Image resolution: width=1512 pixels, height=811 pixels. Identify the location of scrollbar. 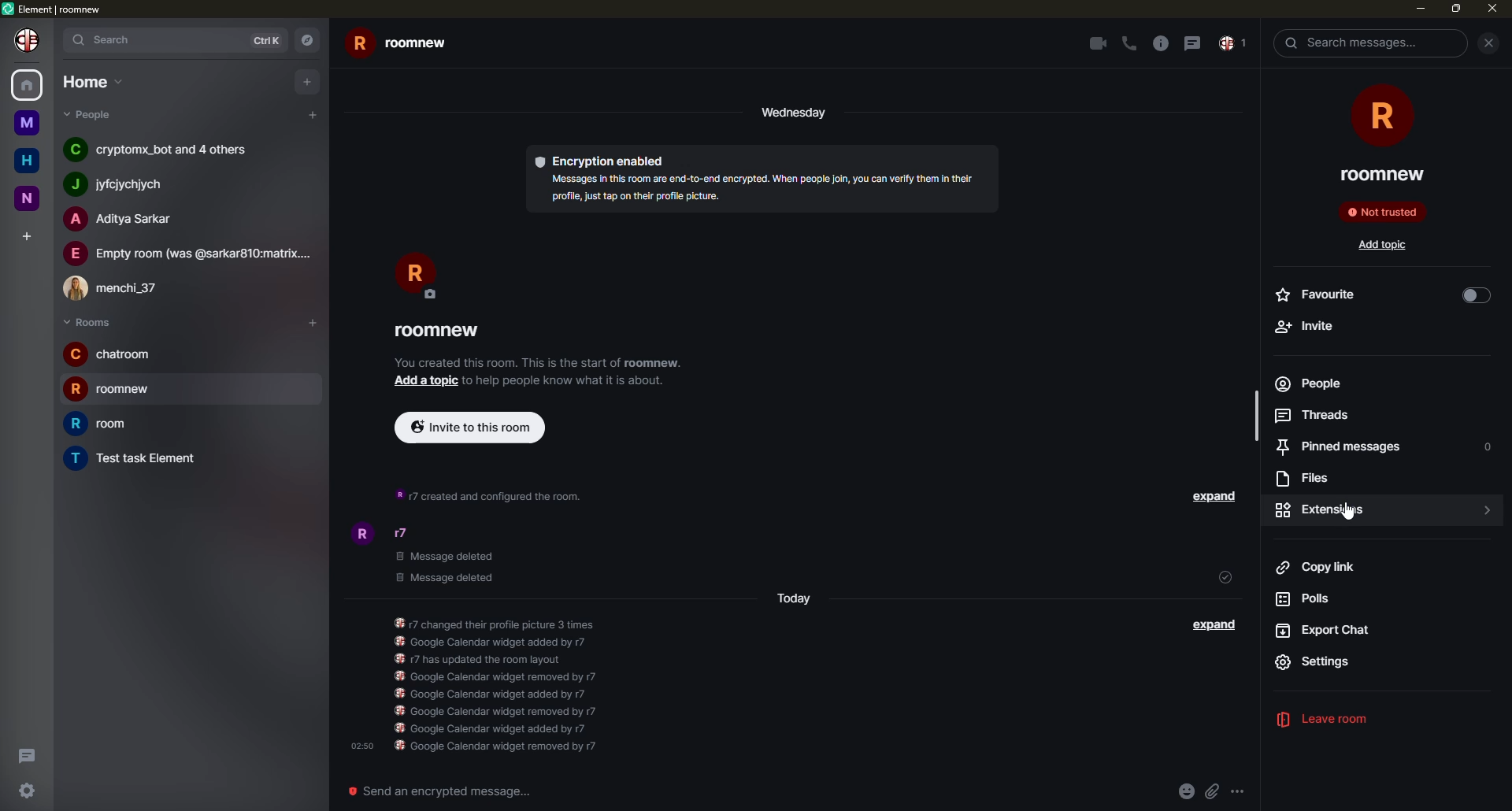
(1250, 415).